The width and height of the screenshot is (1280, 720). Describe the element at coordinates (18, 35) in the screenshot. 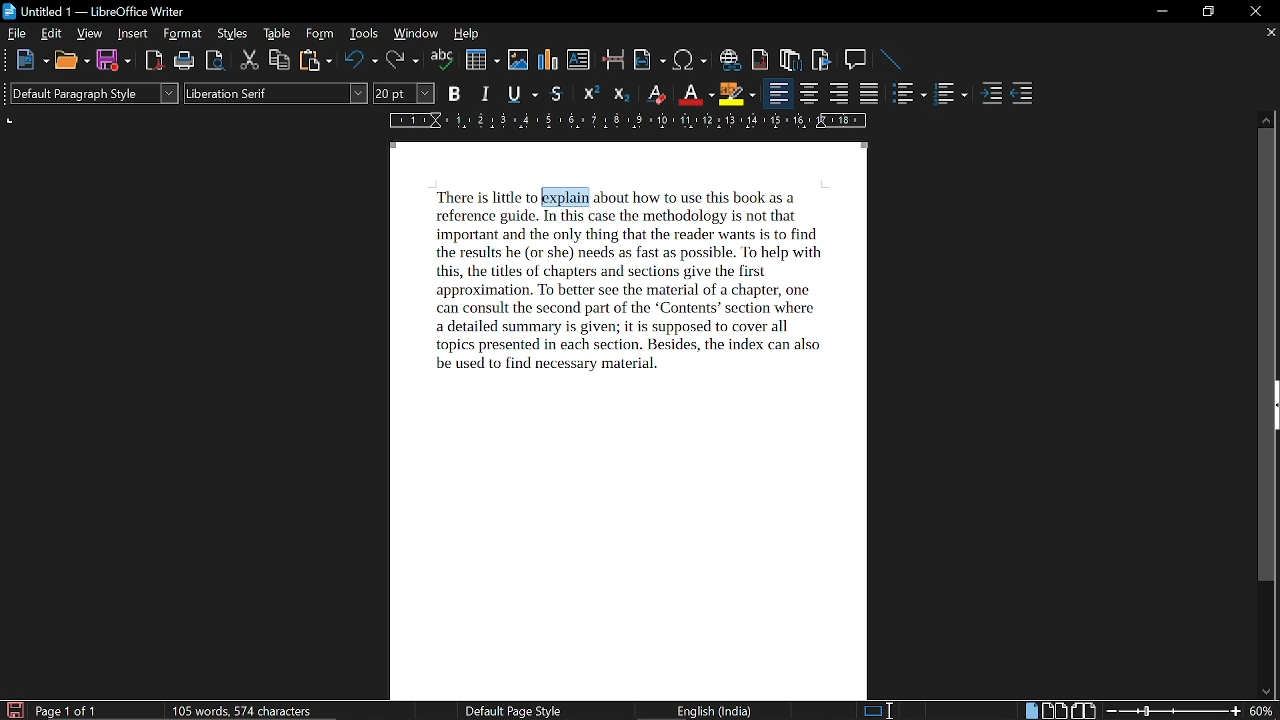

I see `file` at that location.